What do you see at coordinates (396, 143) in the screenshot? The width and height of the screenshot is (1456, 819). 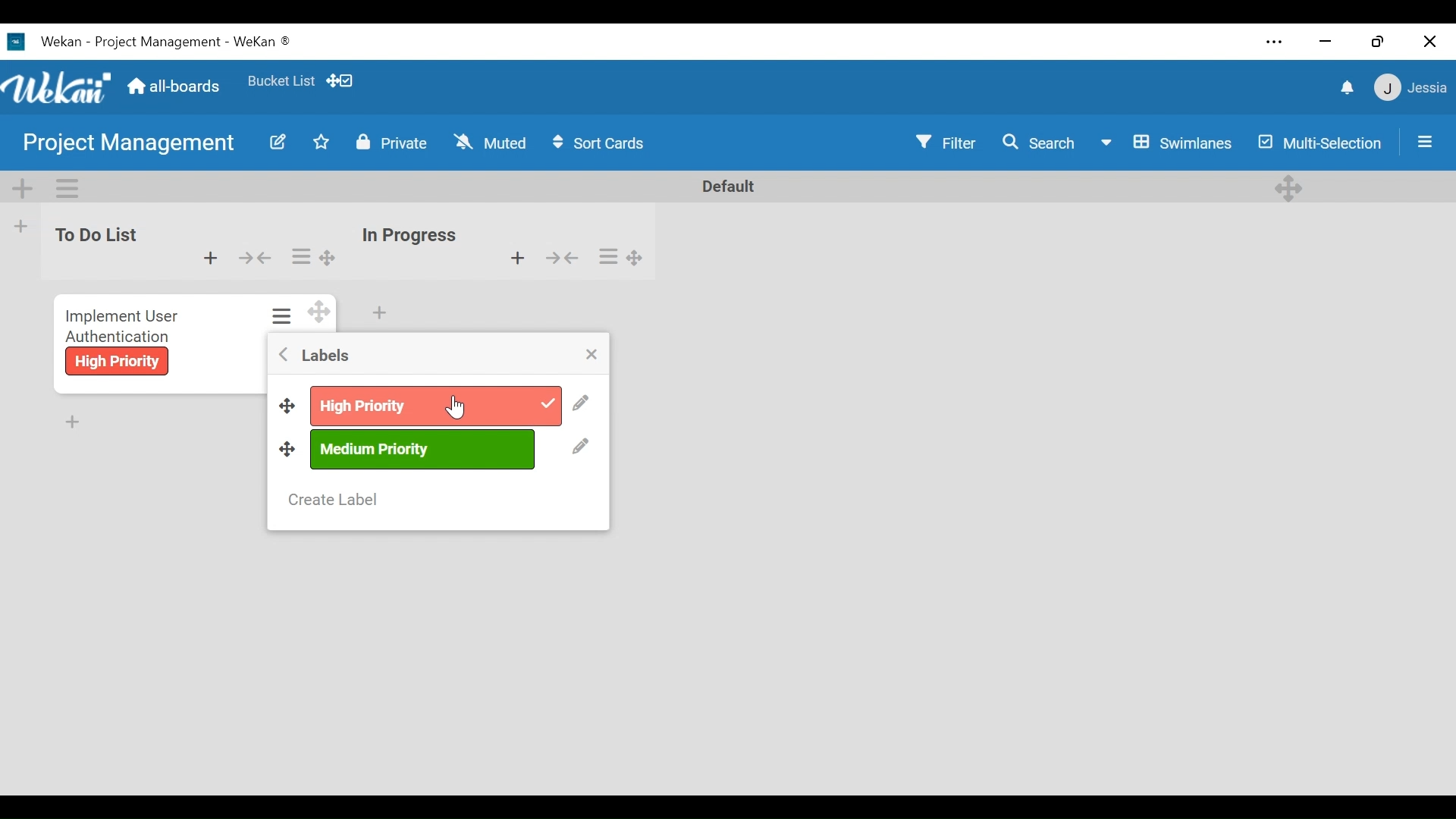 I see `Private` at bounding box center [396, 143].